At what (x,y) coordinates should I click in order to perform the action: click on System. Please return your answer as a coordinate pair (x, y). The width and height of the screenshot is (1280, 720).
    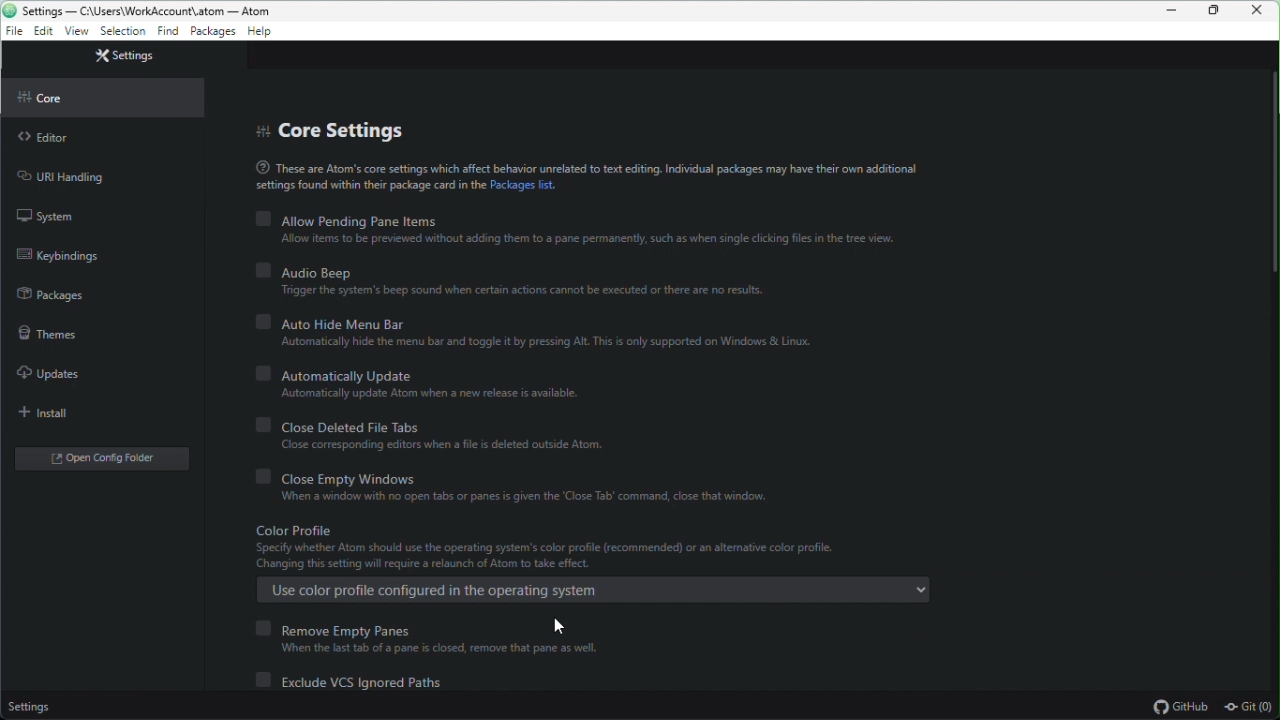
    Looking at the image, I should click on (52, 216).